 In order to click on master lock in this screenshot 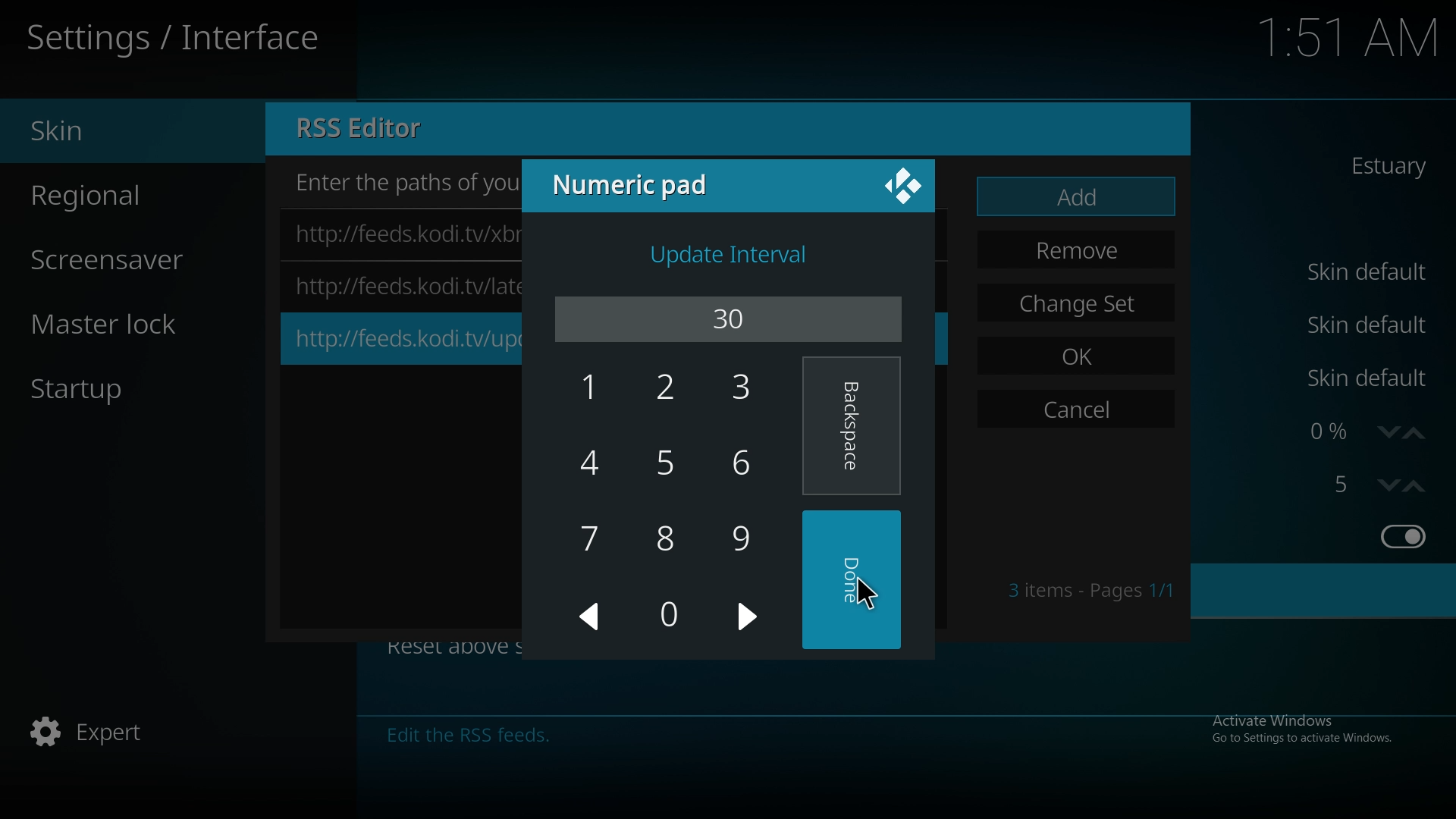, I will do `click(129, 323)`.